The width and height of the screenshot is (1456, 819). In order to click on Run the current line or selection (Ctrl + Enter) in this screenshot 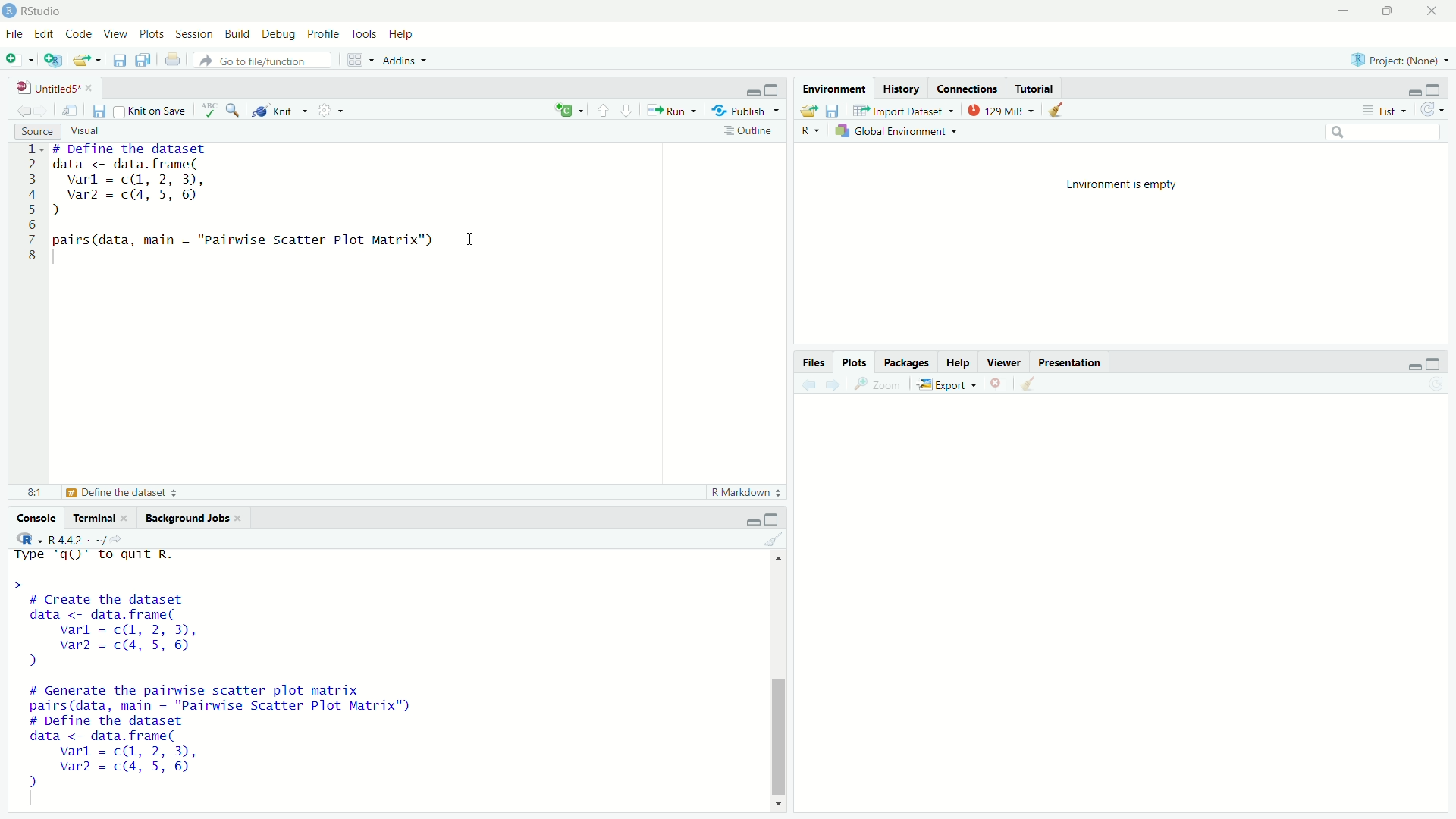, I will do `click(670, 109)`.